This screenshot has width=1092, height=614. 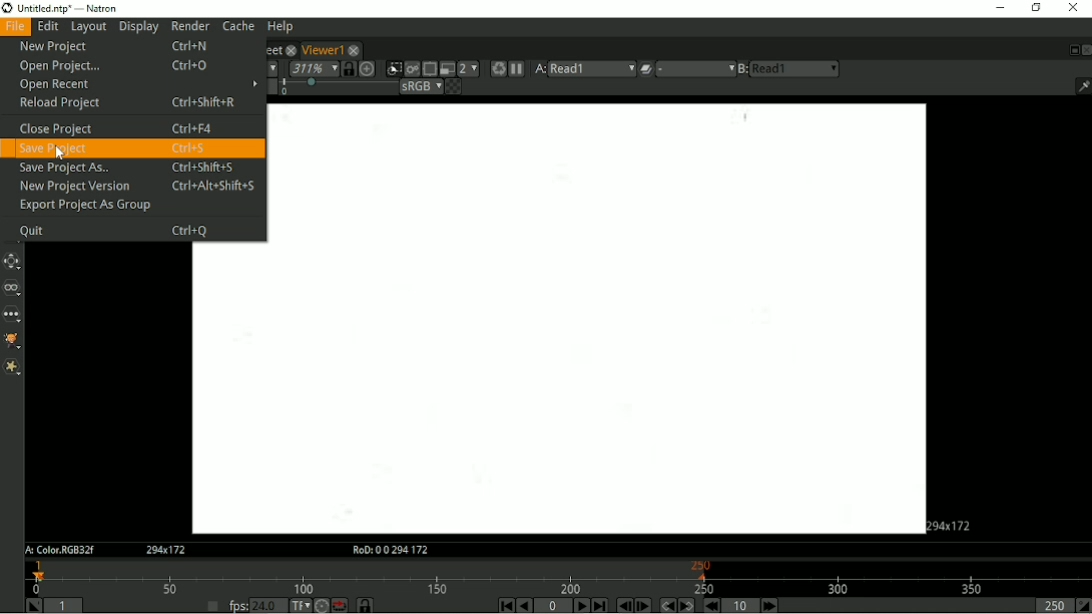 I want to click on logo, so click(x=7, y=8).